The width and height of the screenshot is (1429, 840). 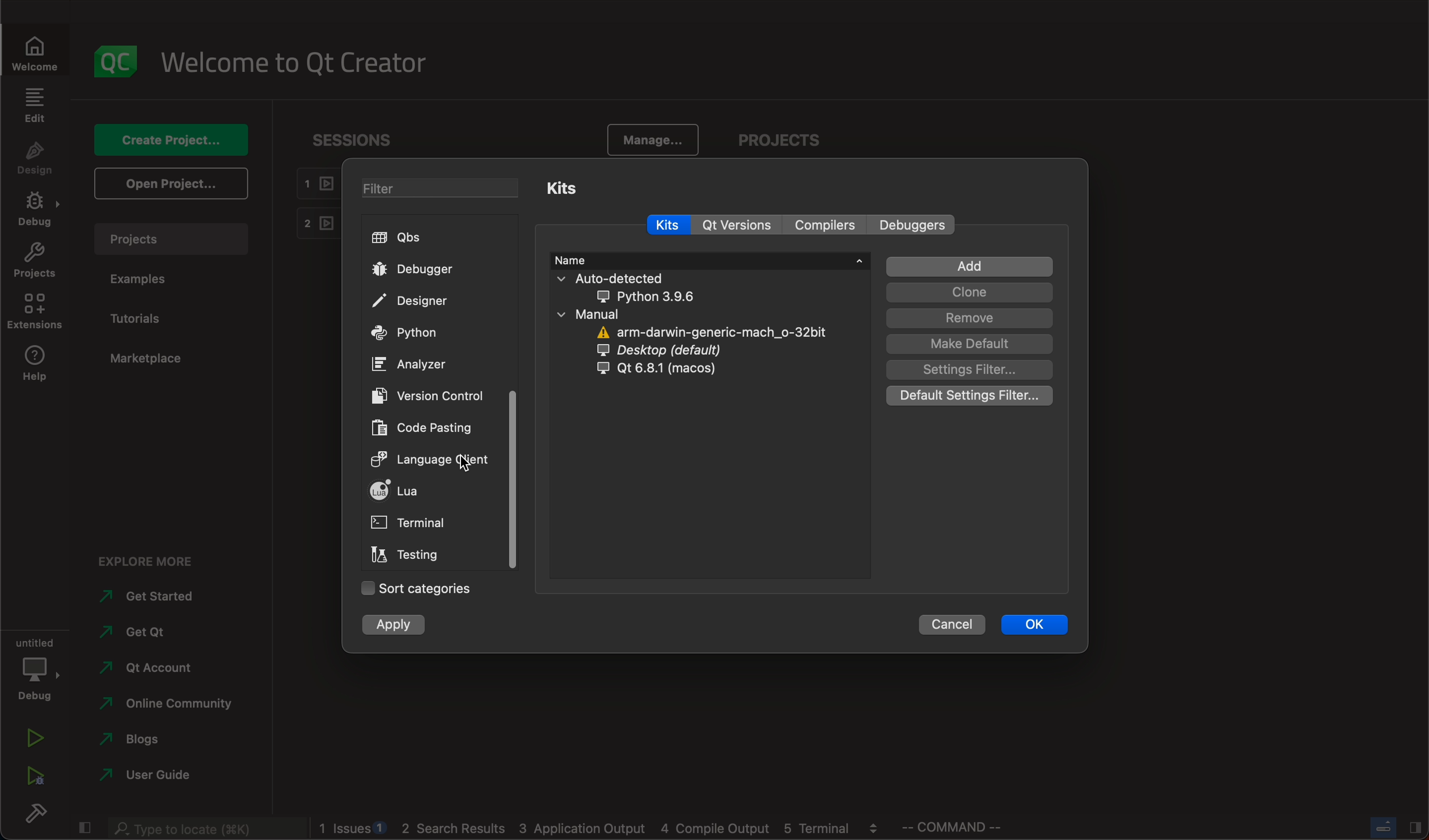 I want to click on run, so click(x=36, y=737).